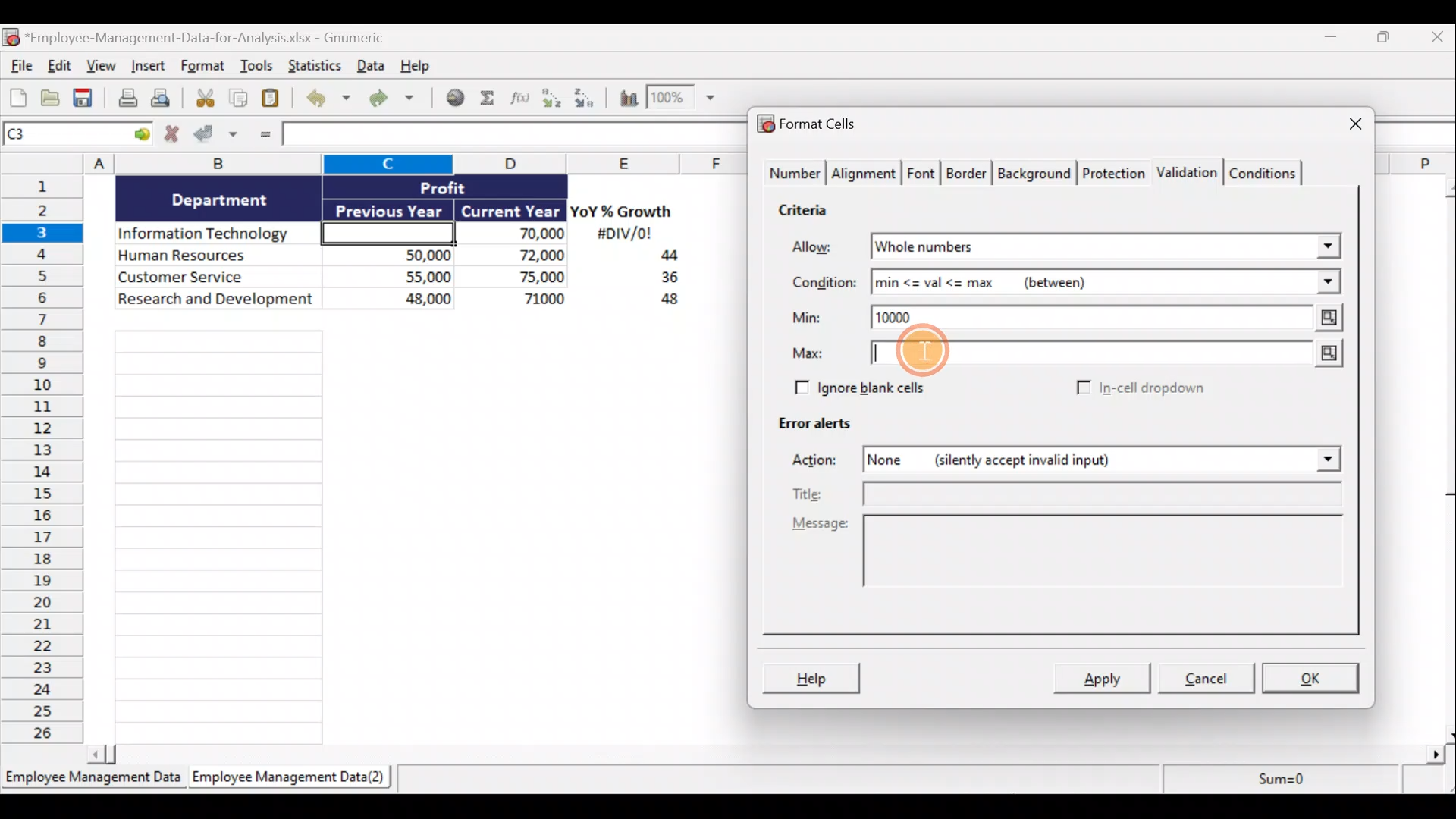 Image resolution: width=1456 pixels, height=819 pixels. I want to click on OK, so click(1312, 676).